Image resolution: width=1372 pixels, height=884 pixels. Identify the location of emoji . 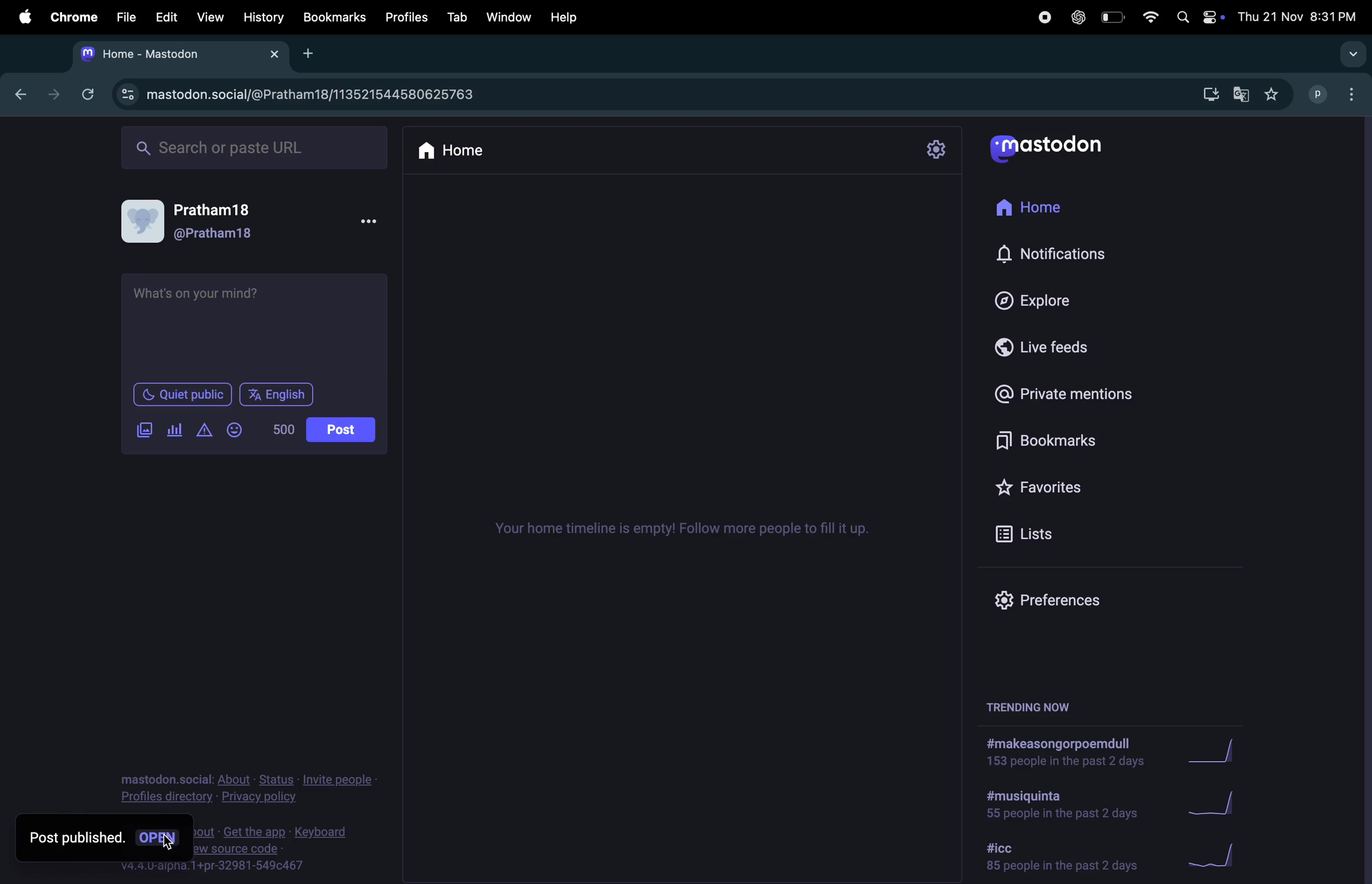
(237, 429).